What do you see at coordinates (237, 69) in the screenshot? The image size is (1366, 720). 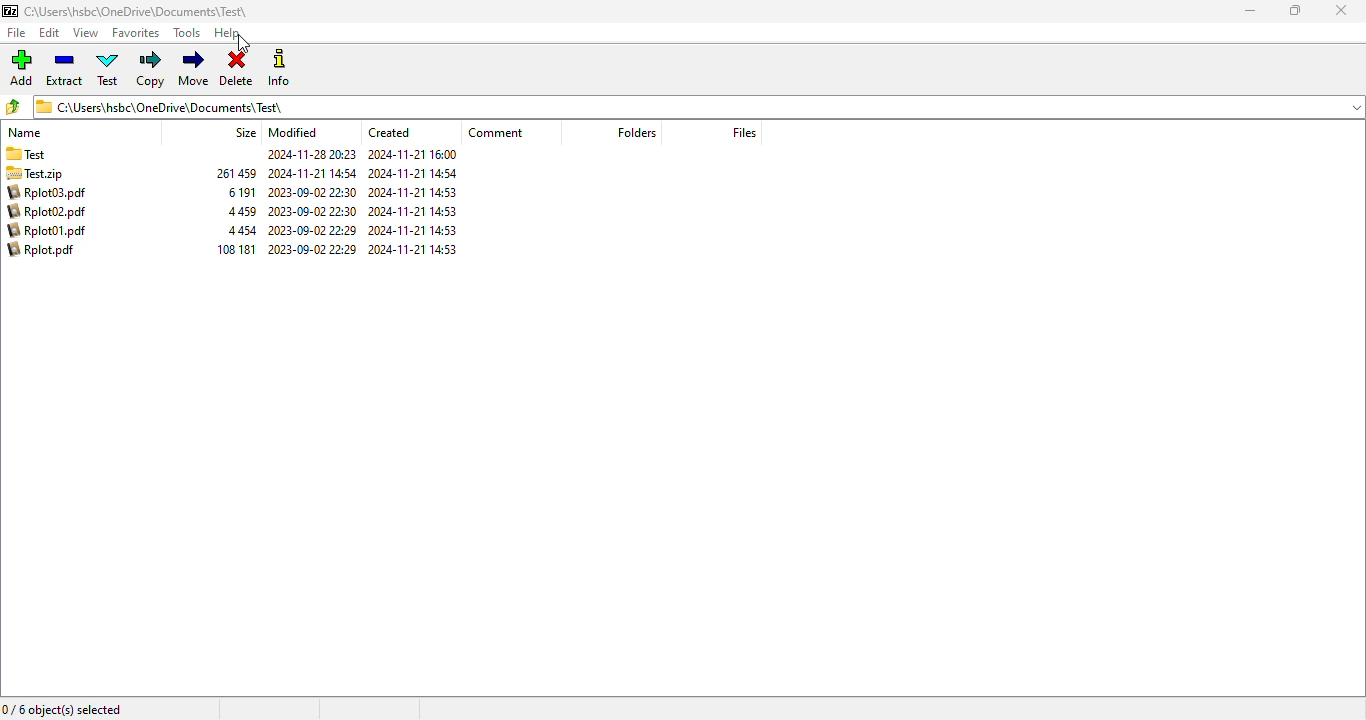 I see `delete` at bounding box center [237, 69].